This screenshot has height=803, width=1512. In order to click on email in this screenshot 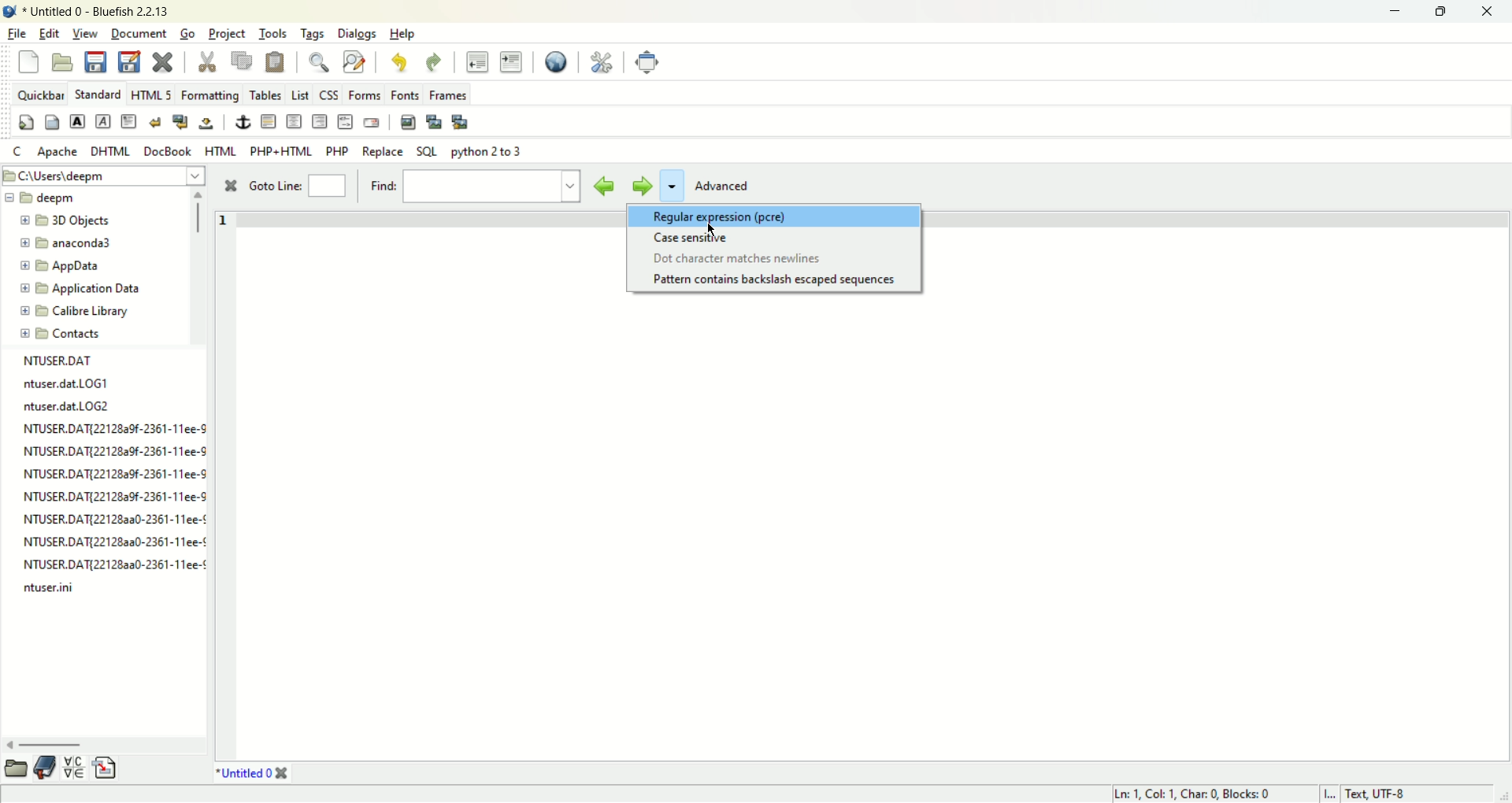, I will do `click(371, 124)`.